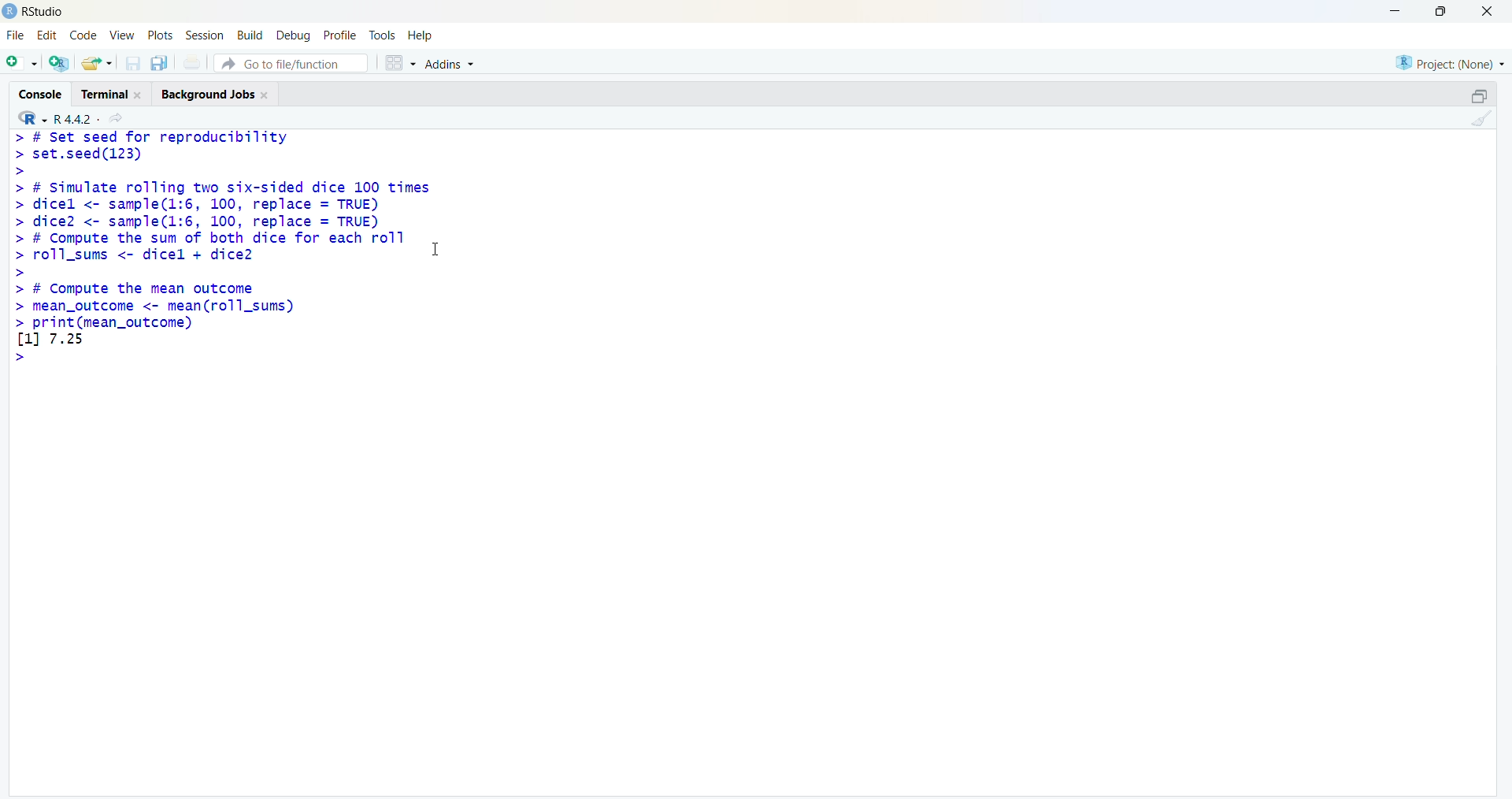  I want to click on code, so click(83, 35).